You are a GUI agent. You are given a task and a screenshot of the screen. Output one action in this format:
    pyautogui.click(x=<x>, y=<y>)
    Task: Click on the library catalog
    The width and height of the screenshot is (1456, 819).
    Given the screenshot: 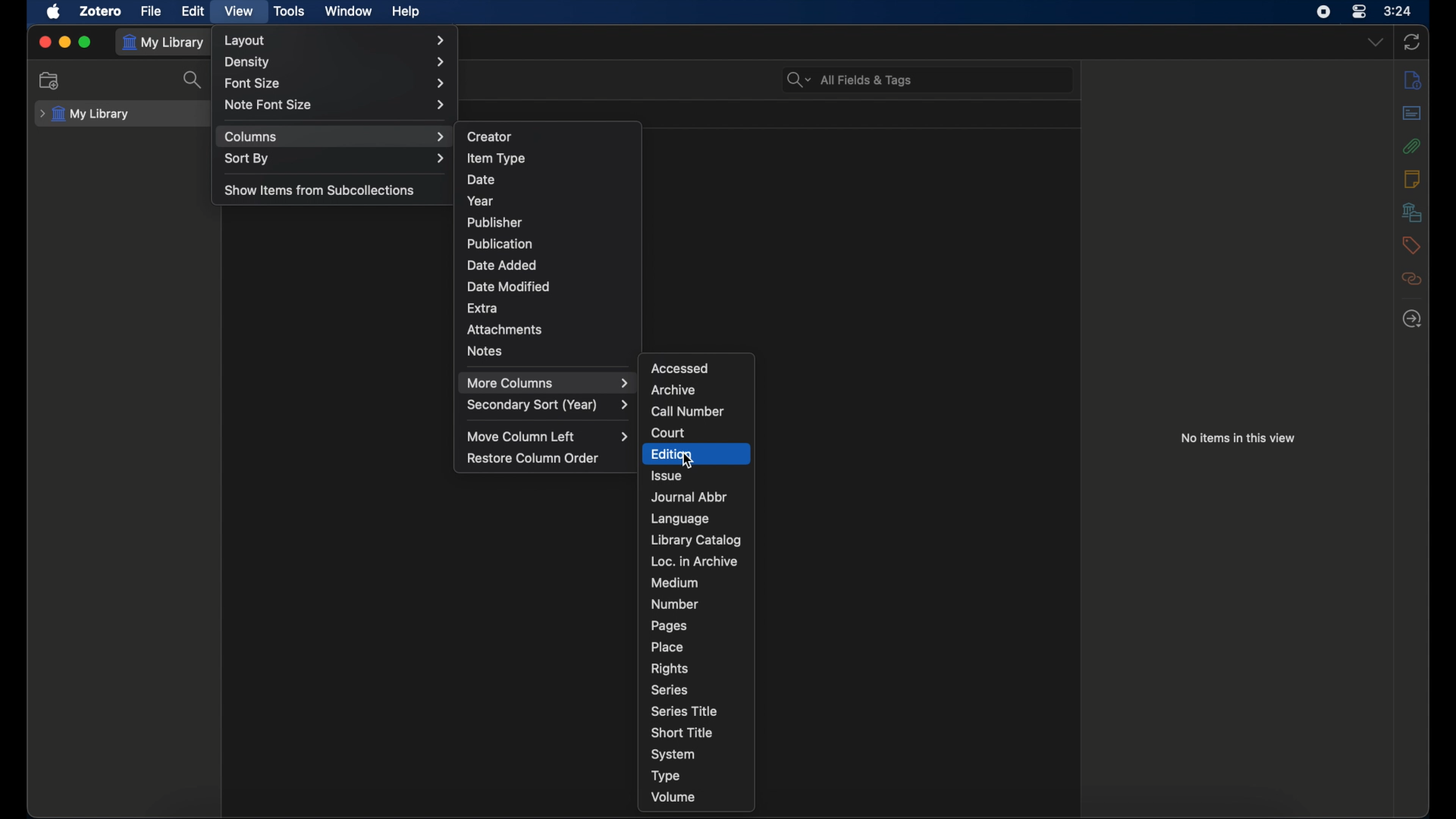 What is the action you would take?
    pyautogui.click(x=695, y=540)
    